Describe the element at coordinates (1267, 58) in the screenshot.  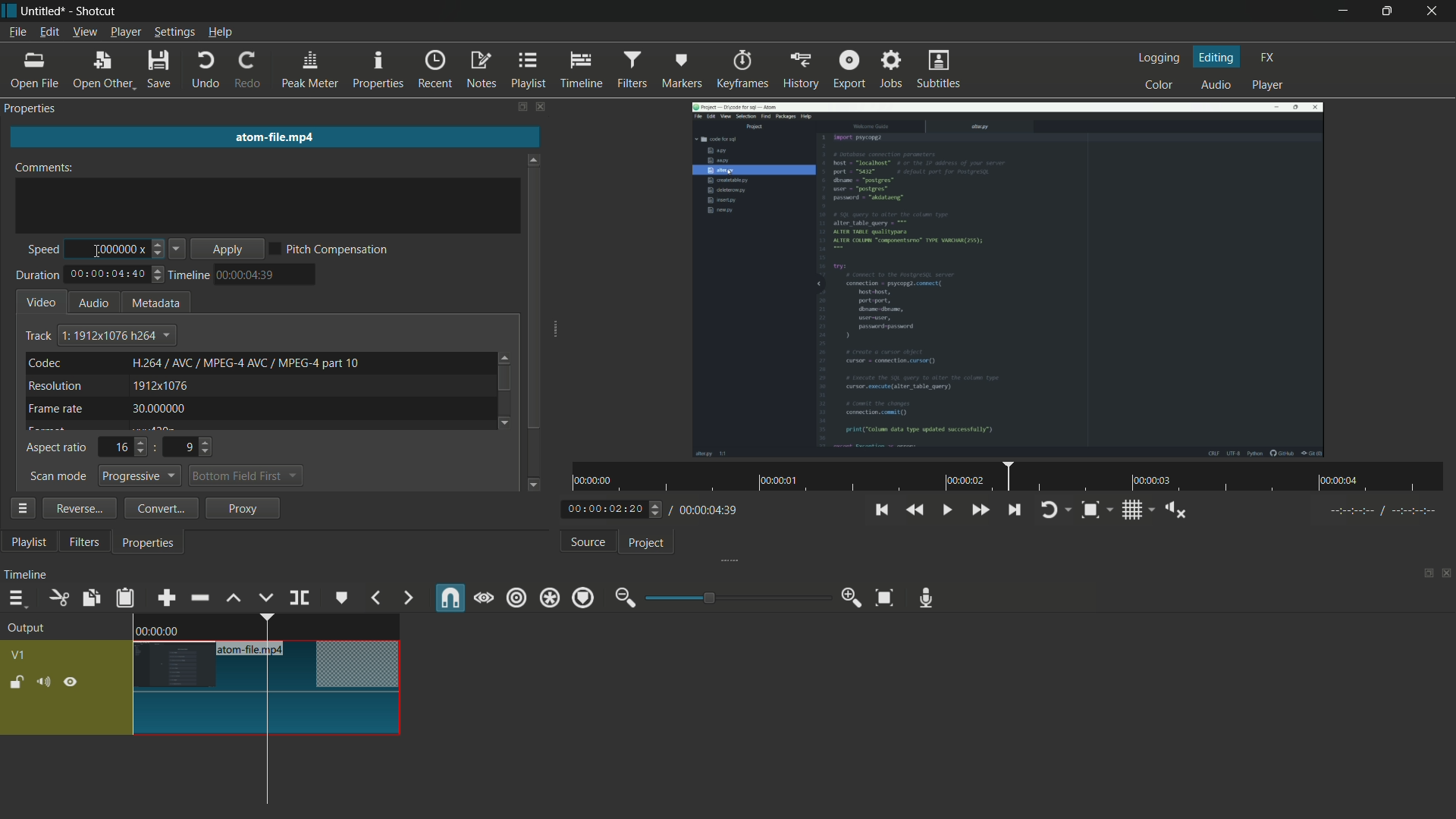
I see `fx` at that location.